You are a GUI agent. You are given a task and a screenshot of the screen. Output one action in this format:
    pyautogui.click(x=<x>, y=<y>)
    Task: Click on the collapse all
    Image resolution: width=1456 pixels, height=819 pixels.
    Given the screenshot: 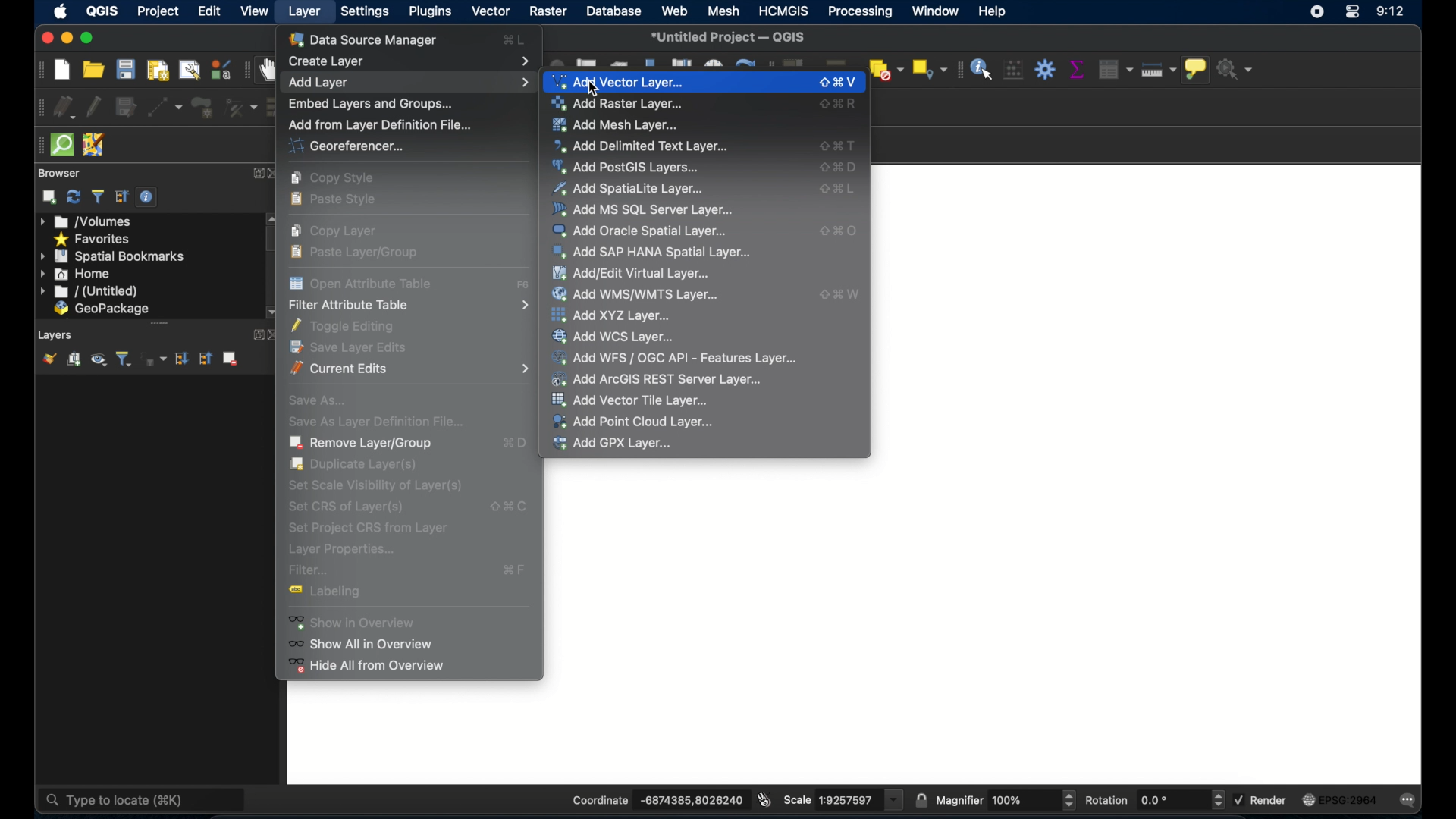 What is the action you would take?
    pyautogui.click(x=206, y=360)
    